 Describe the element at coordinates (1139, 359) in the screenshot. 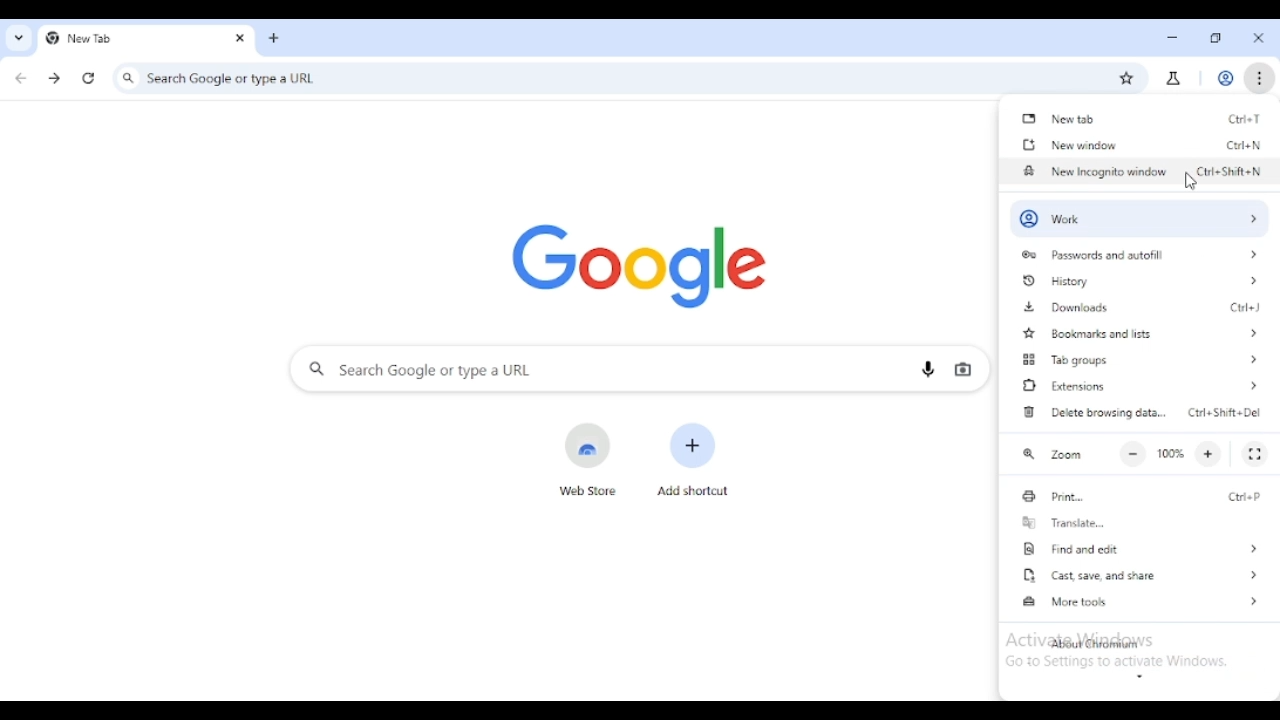

I see `tab groups` at that location.